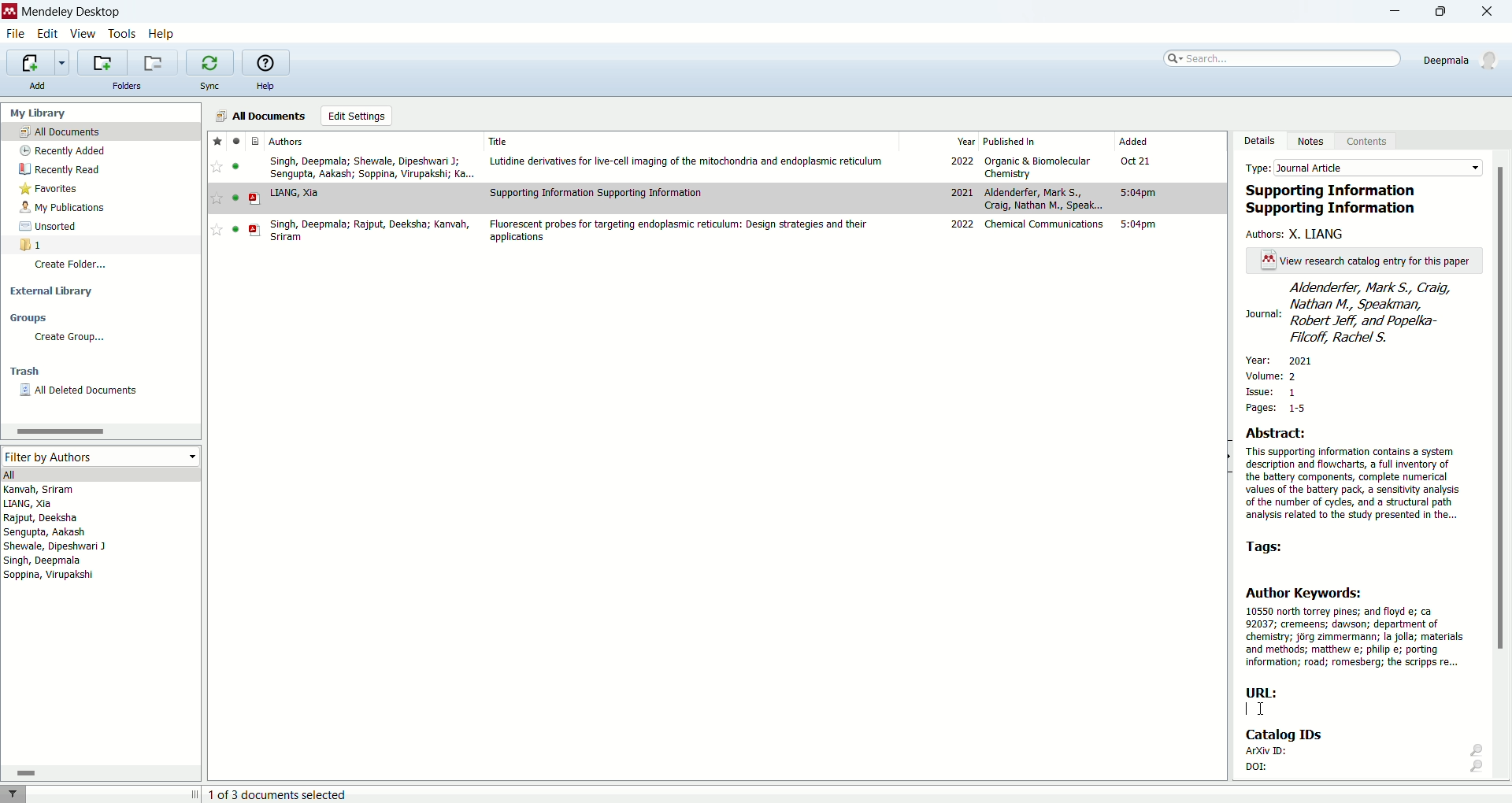  Describe the element at coordinates (217, 141) in the screenshot. I see `favorites` at that location.